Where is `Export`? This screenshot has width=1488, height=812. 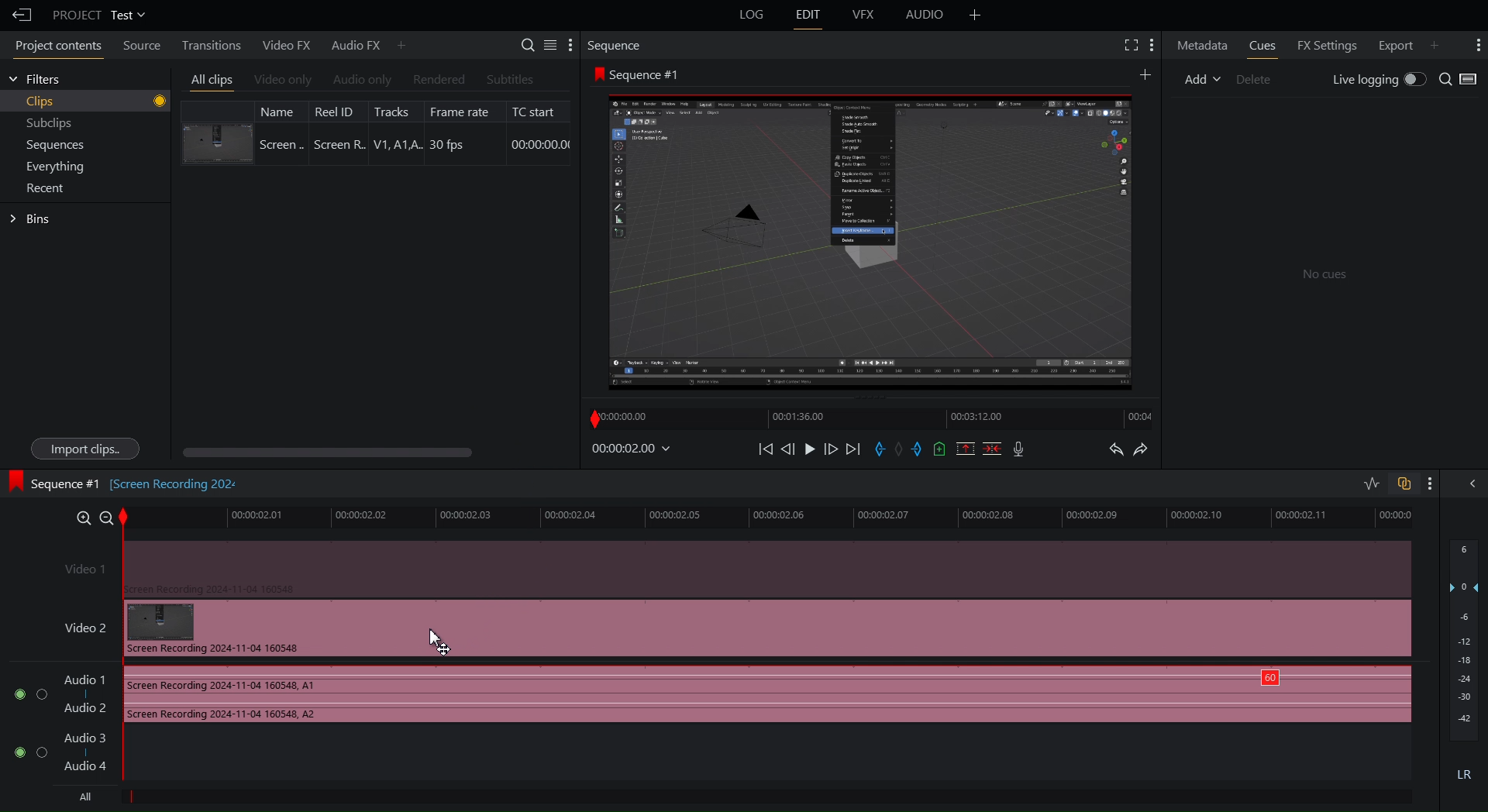 Export is located at coordinates (1392, 43).